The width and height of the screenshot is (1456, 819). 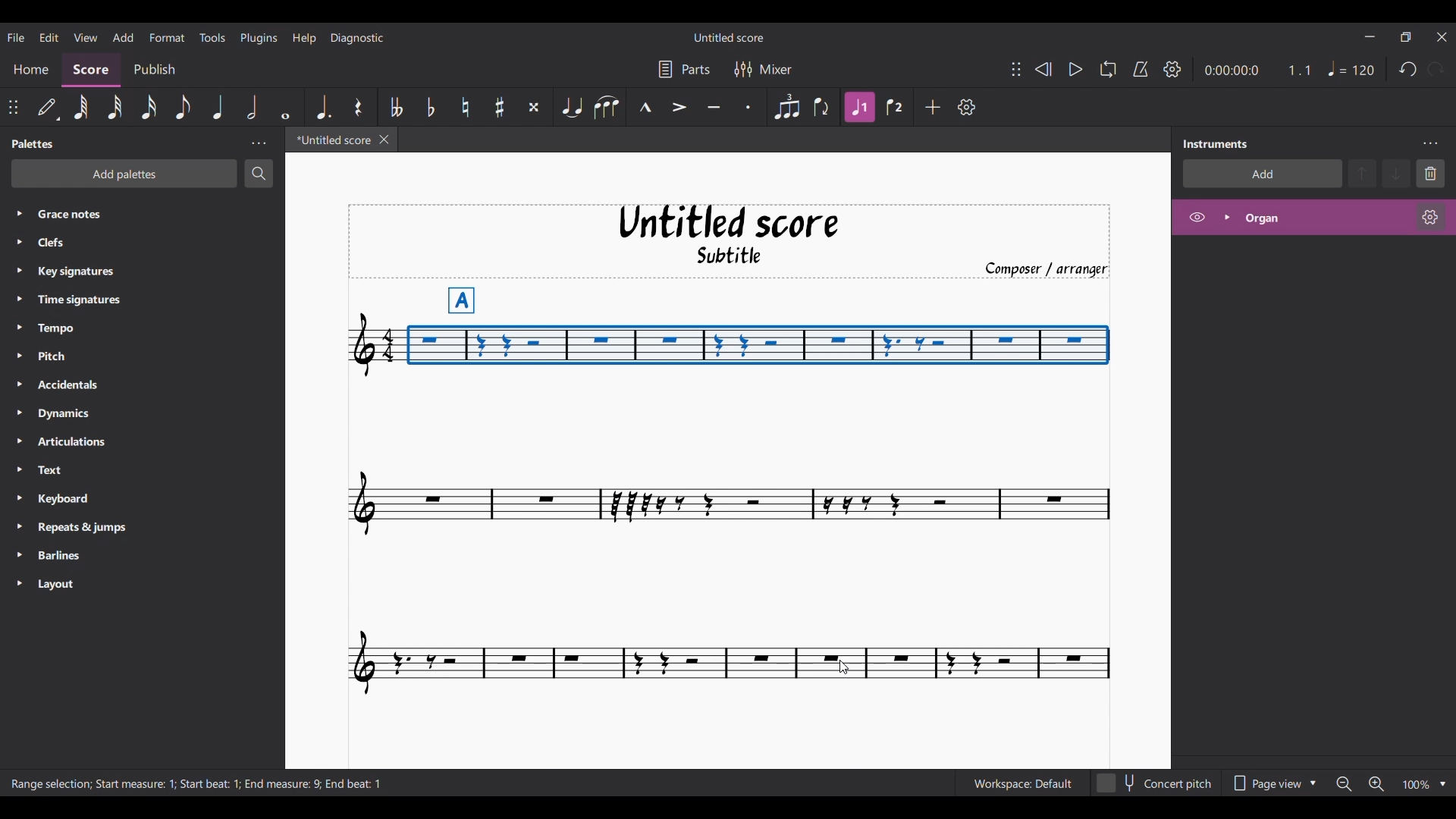 I want to click on Time signatures, so click(x=93, y=299).